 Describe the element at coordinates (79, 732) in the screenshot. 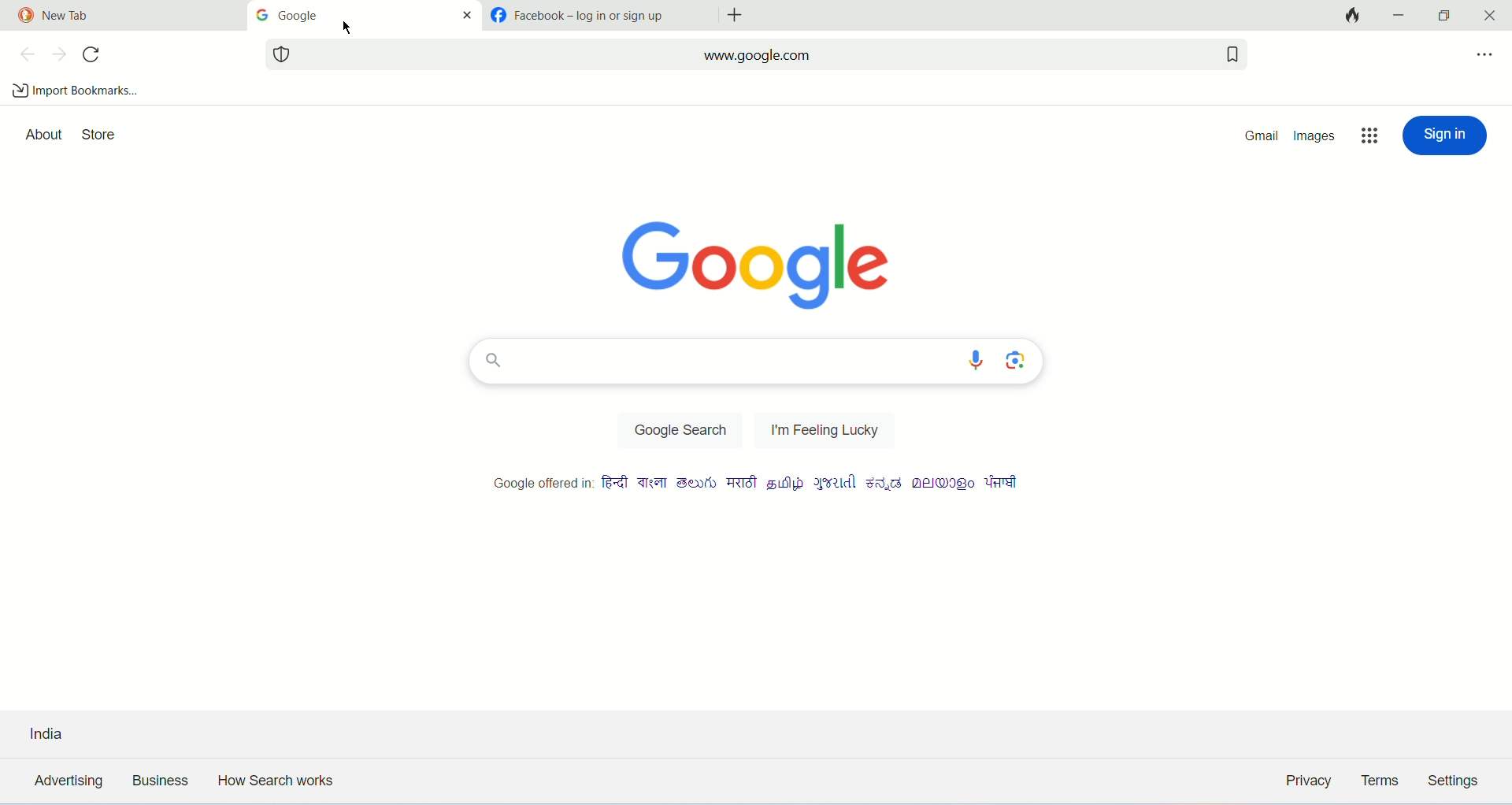

I see `country` at that location.